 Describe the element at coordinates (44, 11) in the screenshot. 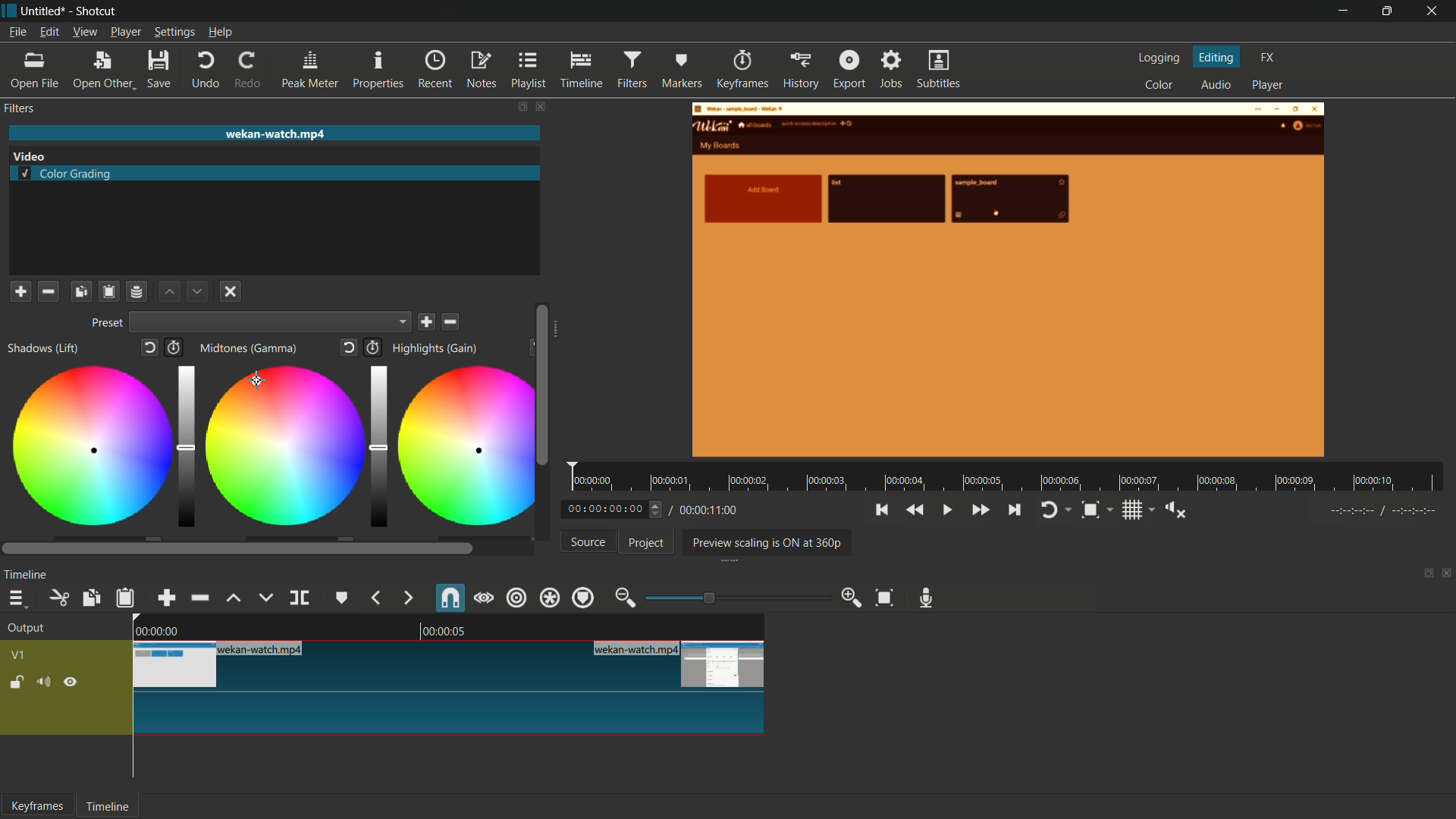

I see `project name` at that location.